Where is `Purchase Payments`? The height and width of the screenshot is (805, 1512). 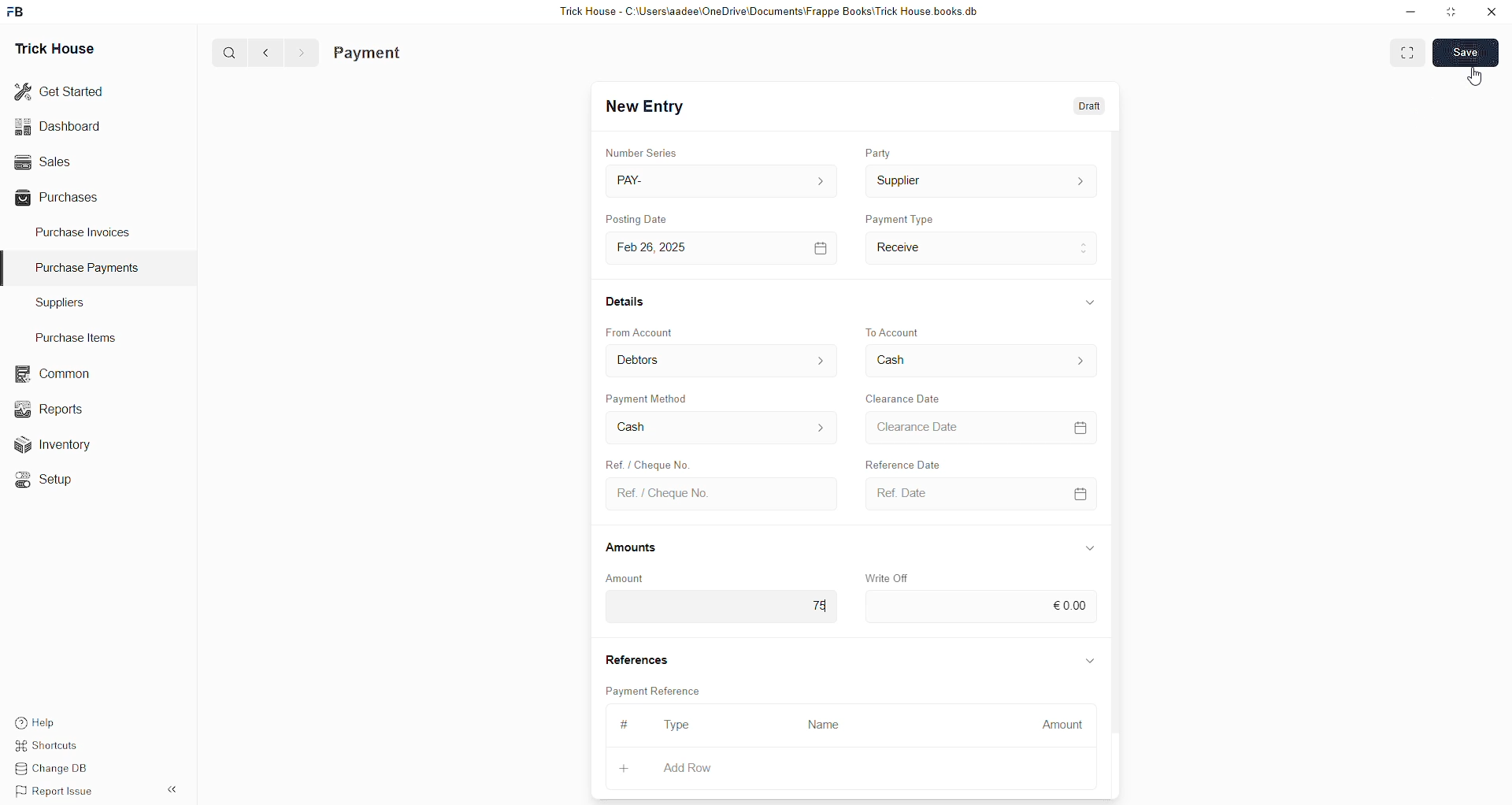 Purchase Payments is located at coordinates (92, 268).